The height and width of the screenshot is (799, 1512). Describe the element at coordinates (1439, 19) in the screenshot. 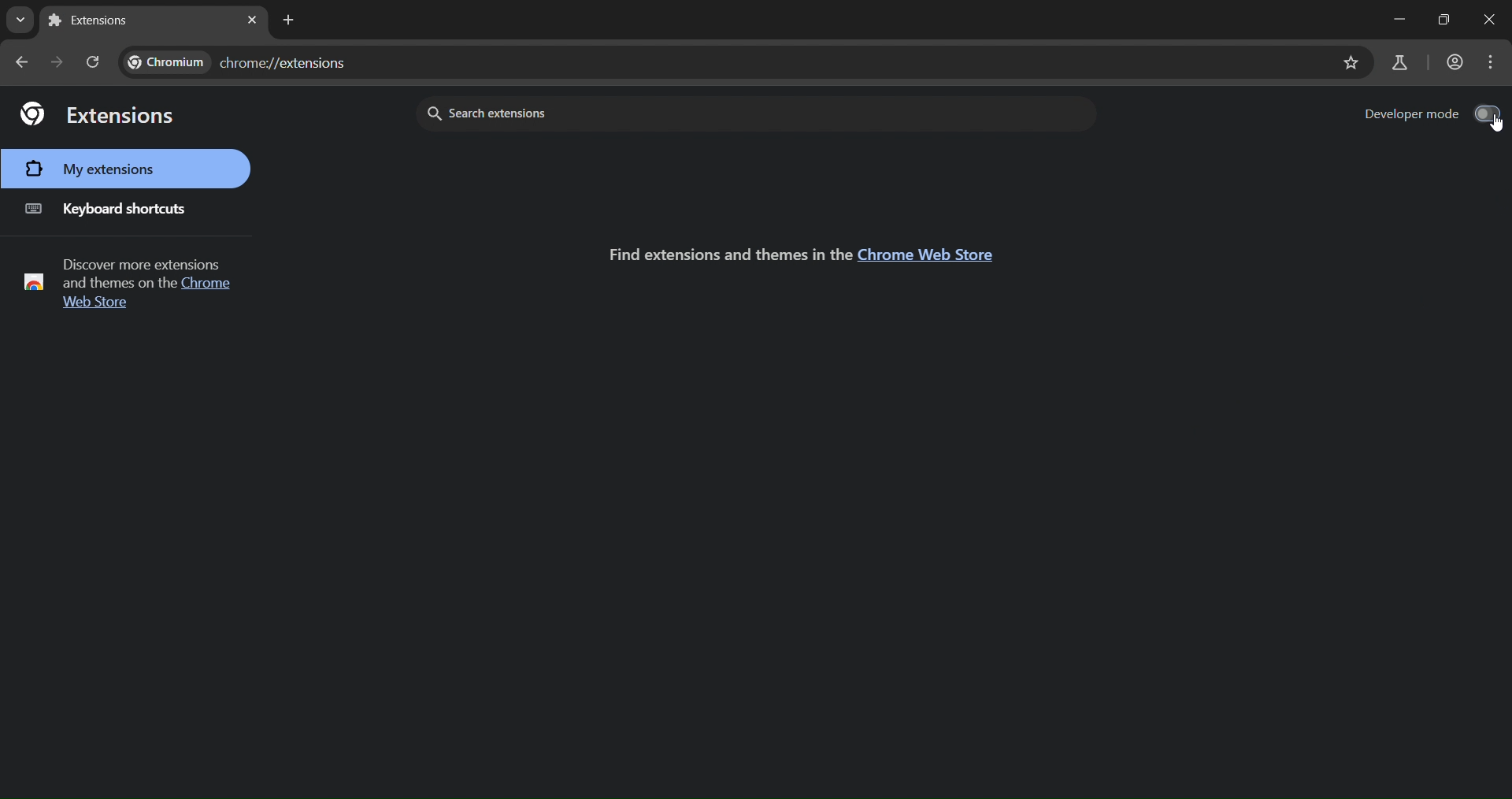

I see `maximize` at that location.